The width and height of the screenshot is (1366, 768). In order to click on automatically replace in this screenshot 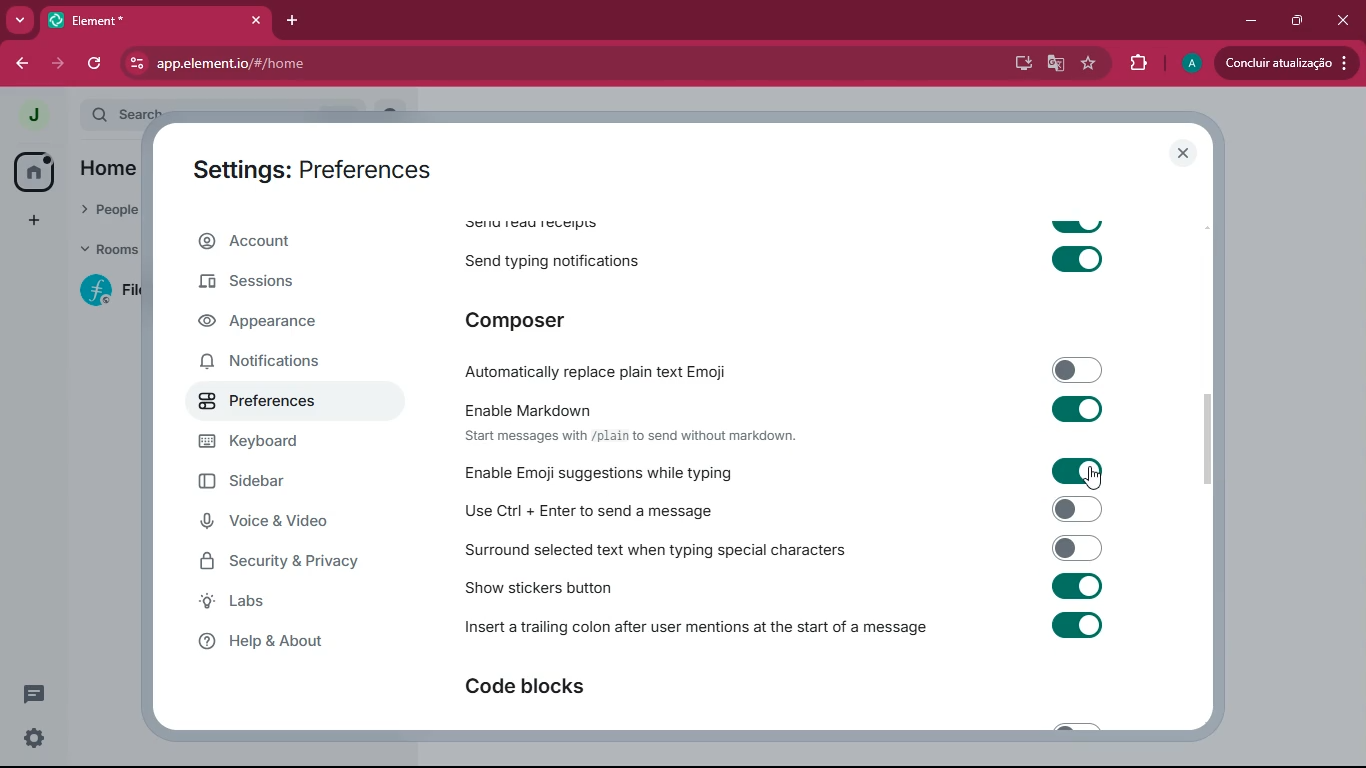, I will do `click(785, 369)`.